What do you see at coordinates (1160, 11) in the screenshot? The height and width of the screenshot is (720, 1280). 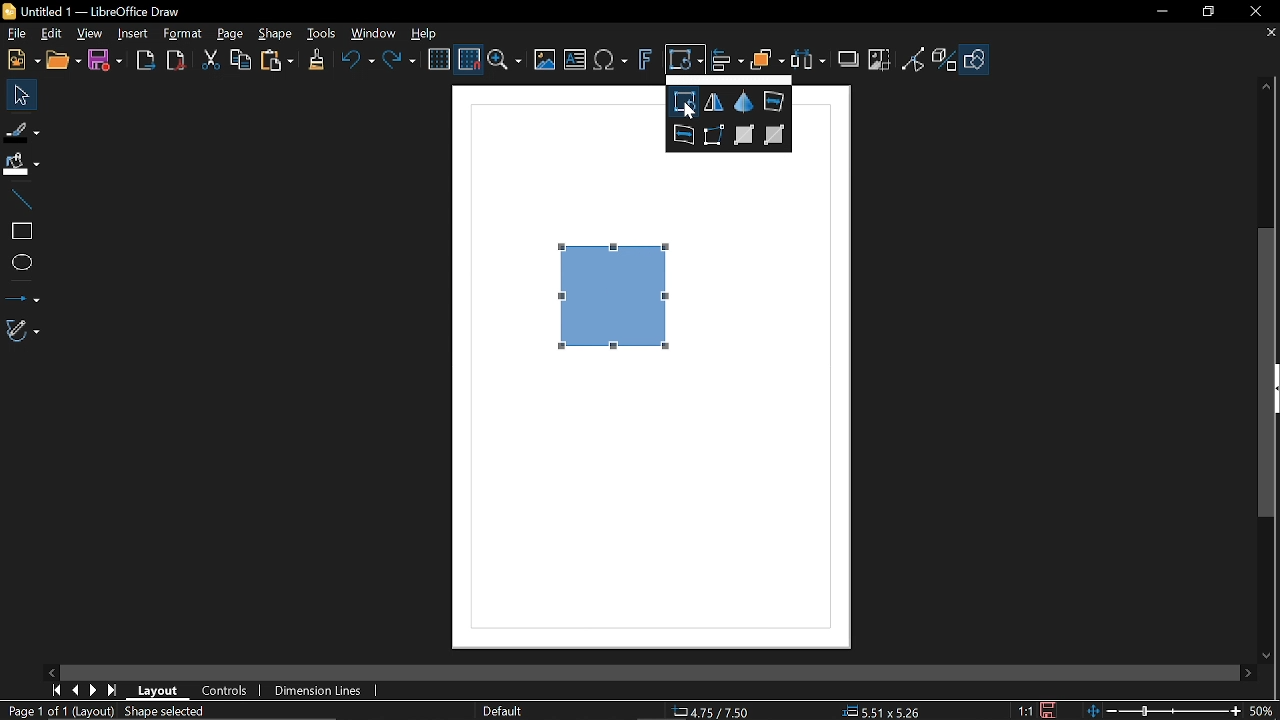 I see `Minimize` at bounding box center [1160, 11].